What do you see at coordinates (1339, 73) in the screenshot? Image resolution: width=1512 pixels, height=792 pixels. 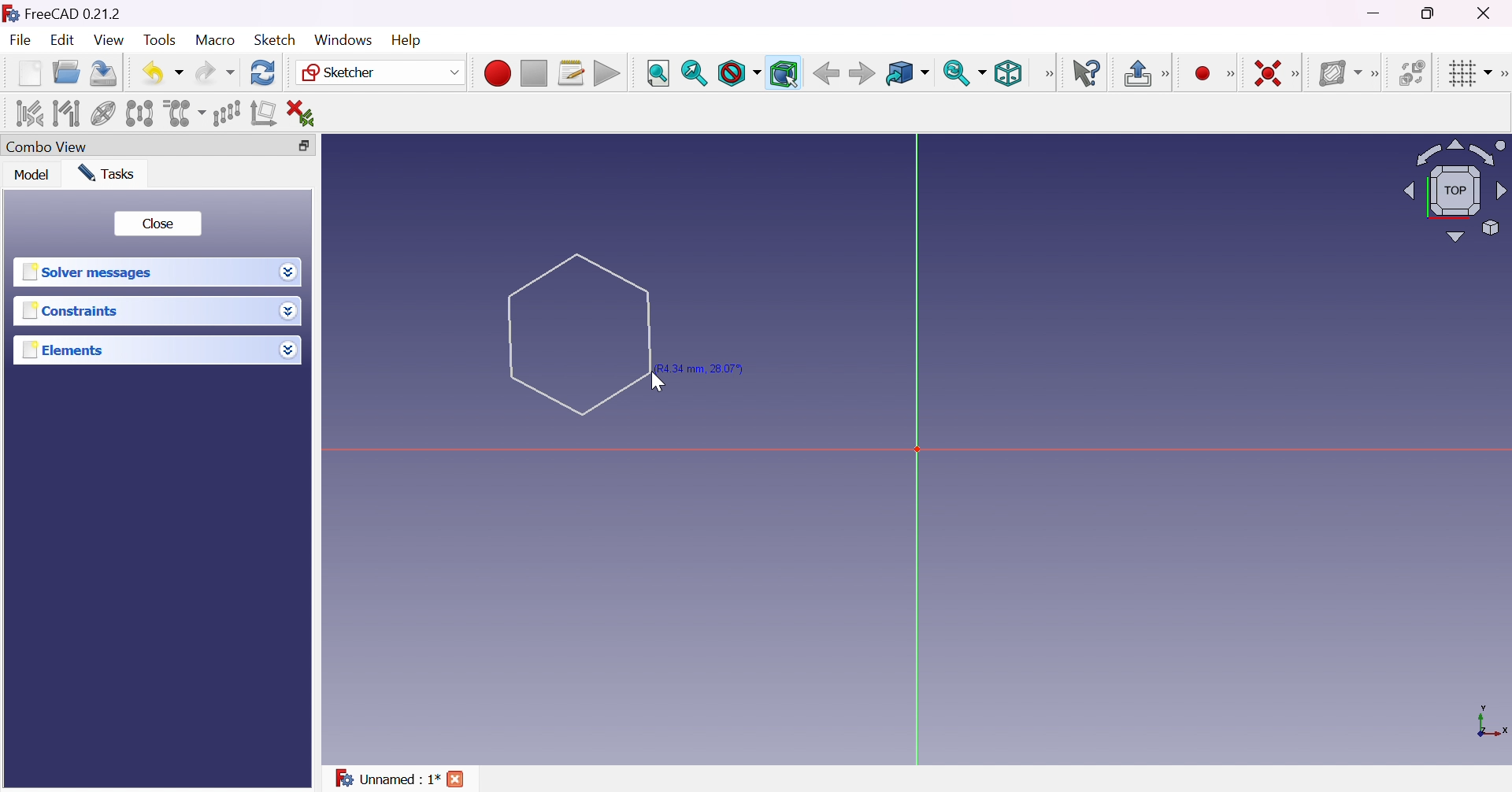 I see `Show/hide B-spline information layer` at bounding box center [1339, 73].